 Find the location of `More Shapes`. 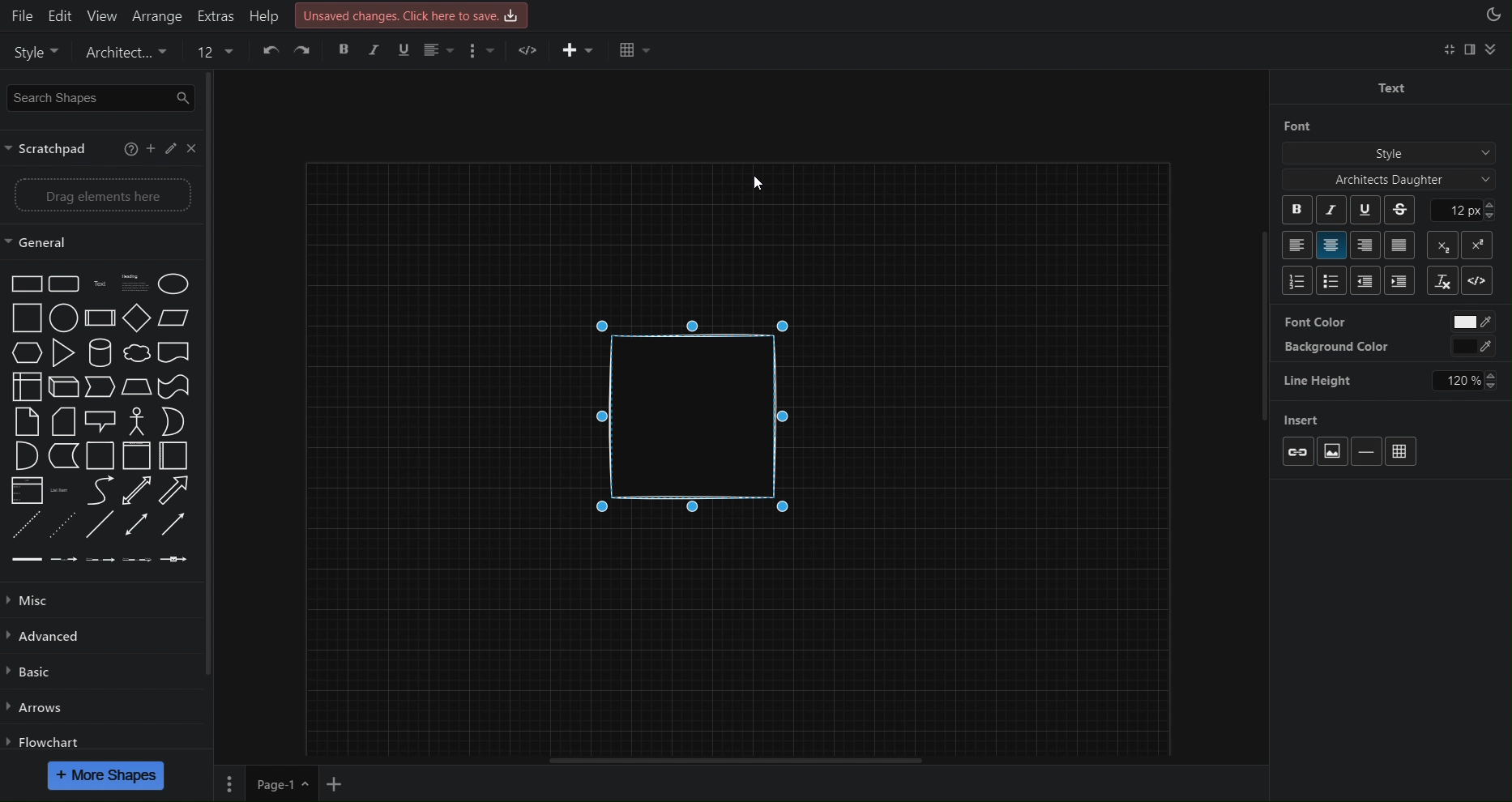

More Shapes is located at coordinates (105, 775).